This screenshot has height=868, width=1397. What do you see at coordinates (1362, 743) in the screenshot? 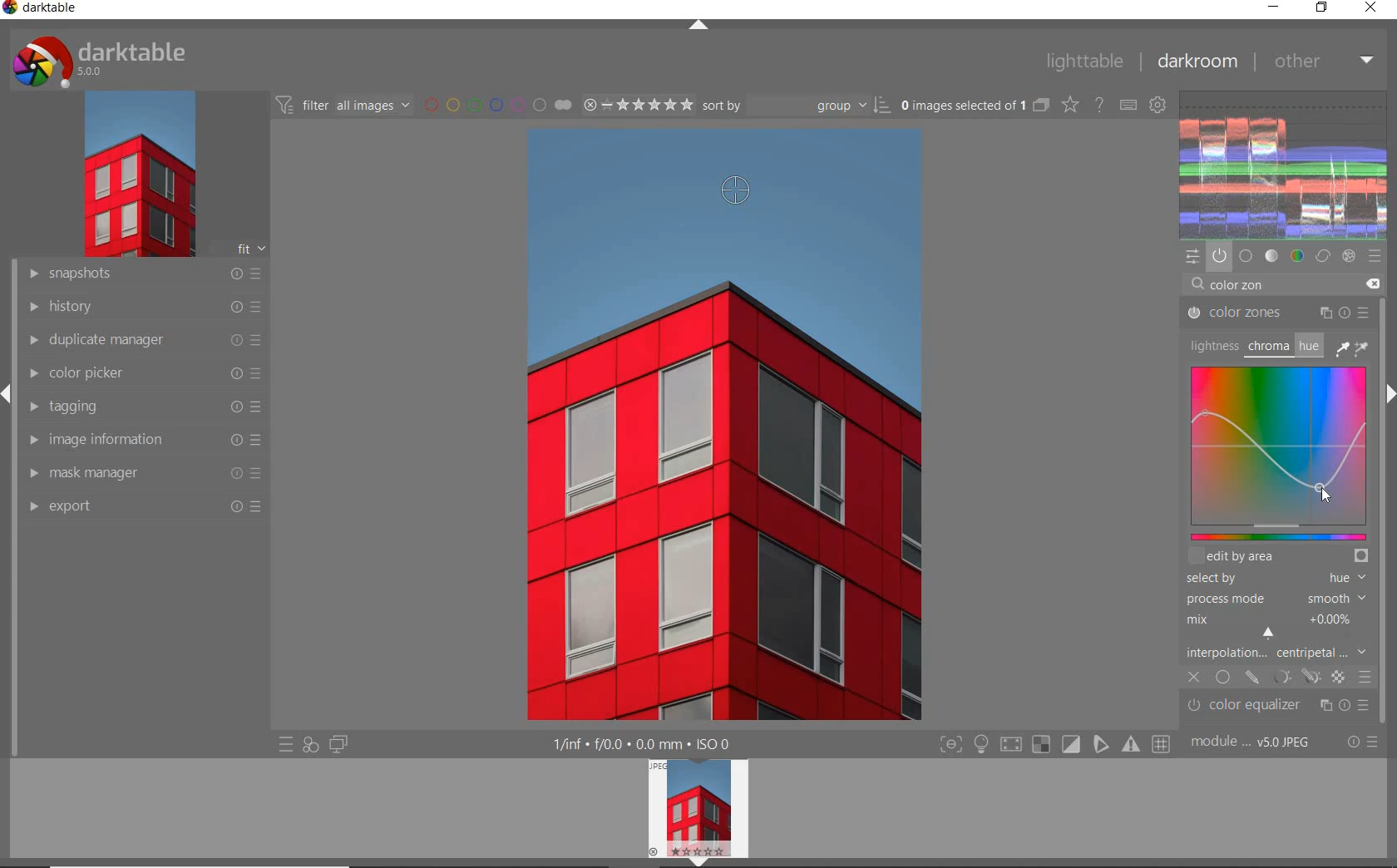
I see `reset or presets & preferences` at bounding box center [1362, 743].